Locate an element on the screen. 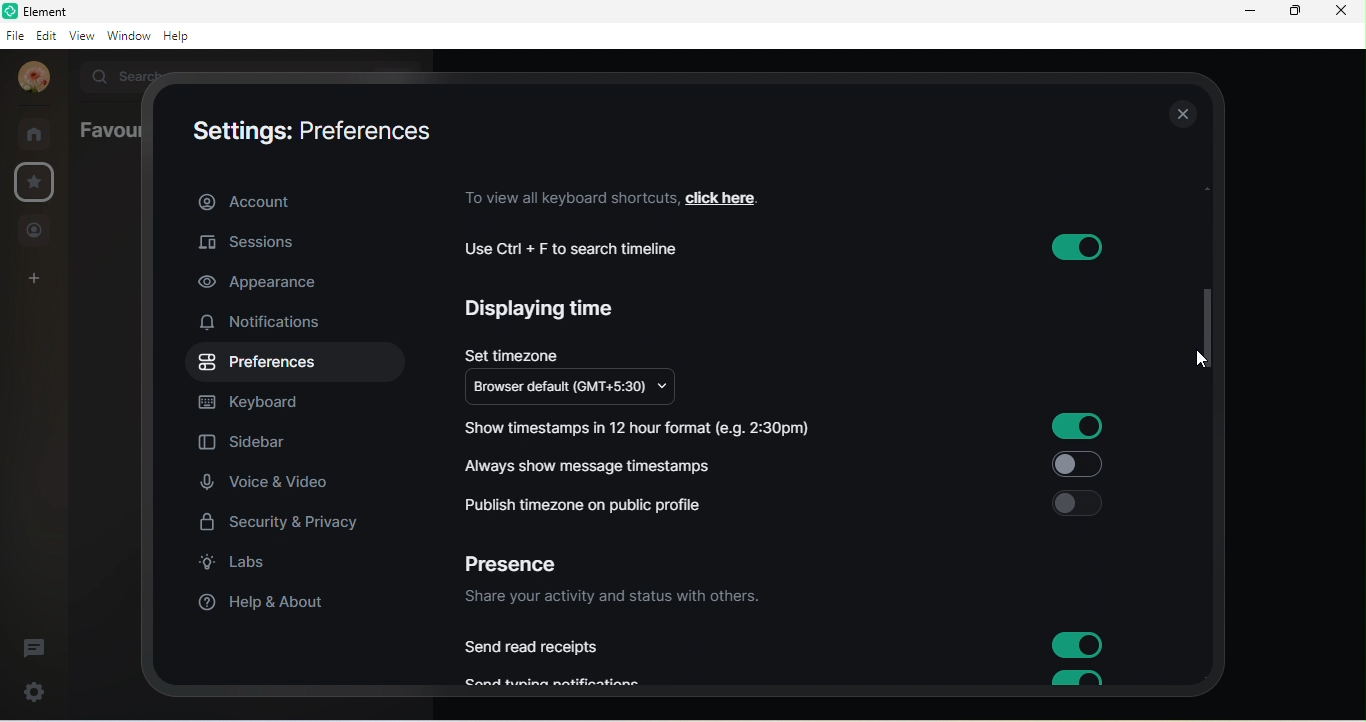 The image size is (1366, 722). button is located at coordinates (1078, 427).